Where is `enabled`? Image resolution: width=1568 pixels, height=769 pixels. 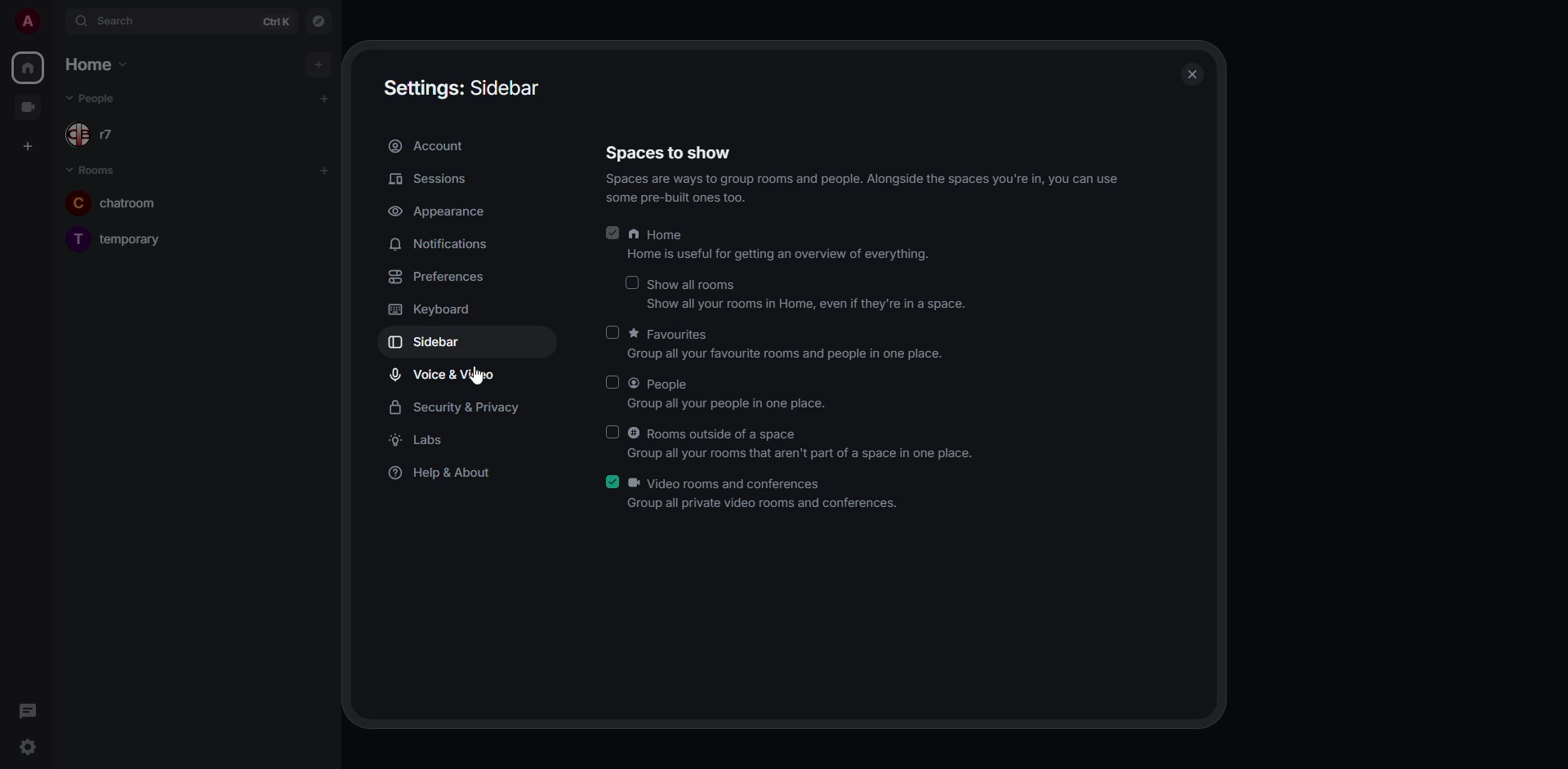
enabled is located at coordinates (613, 480).